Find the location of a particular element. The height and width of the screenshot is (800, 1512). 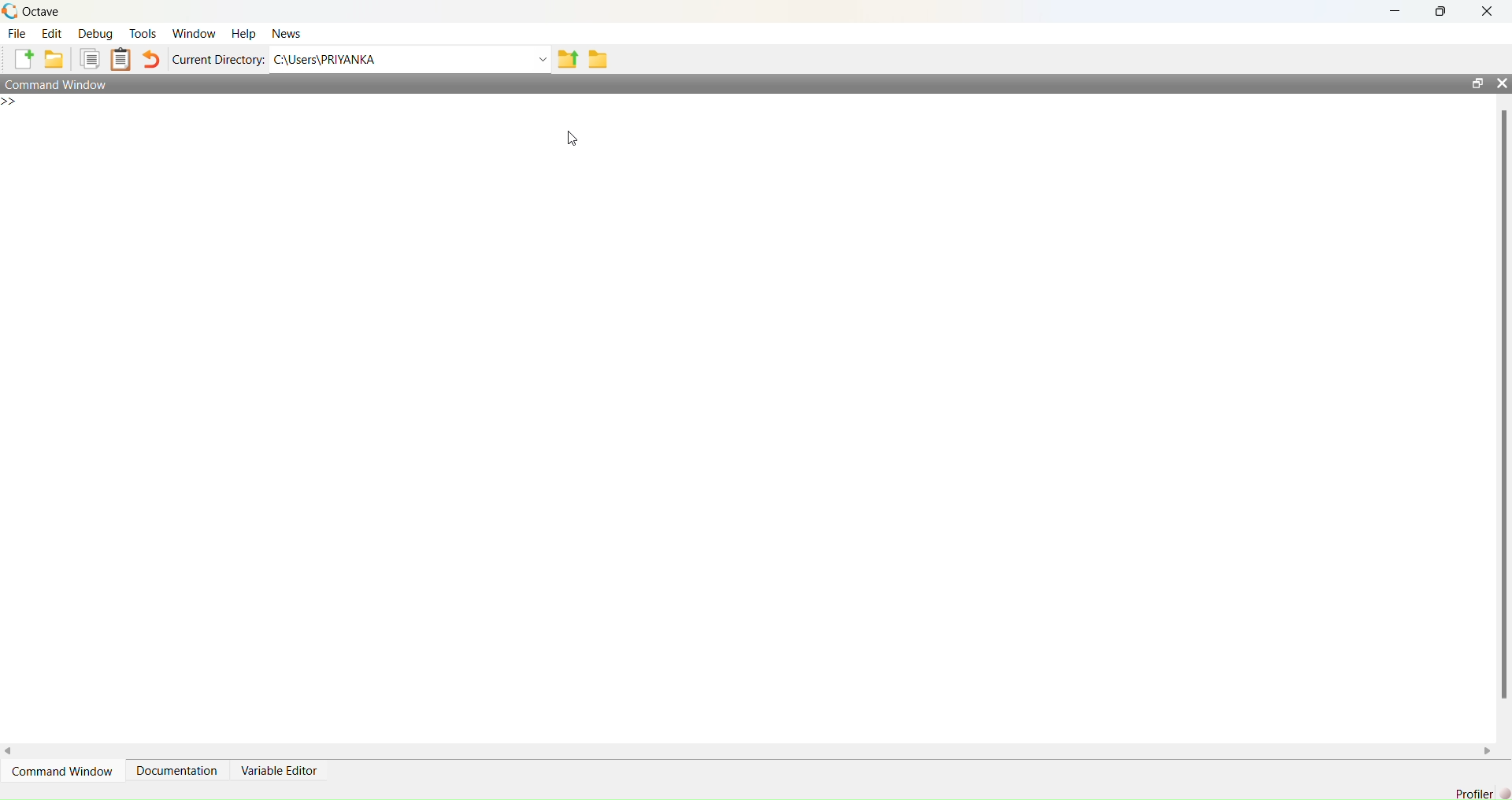

close is located at coordinates (1488, 9).